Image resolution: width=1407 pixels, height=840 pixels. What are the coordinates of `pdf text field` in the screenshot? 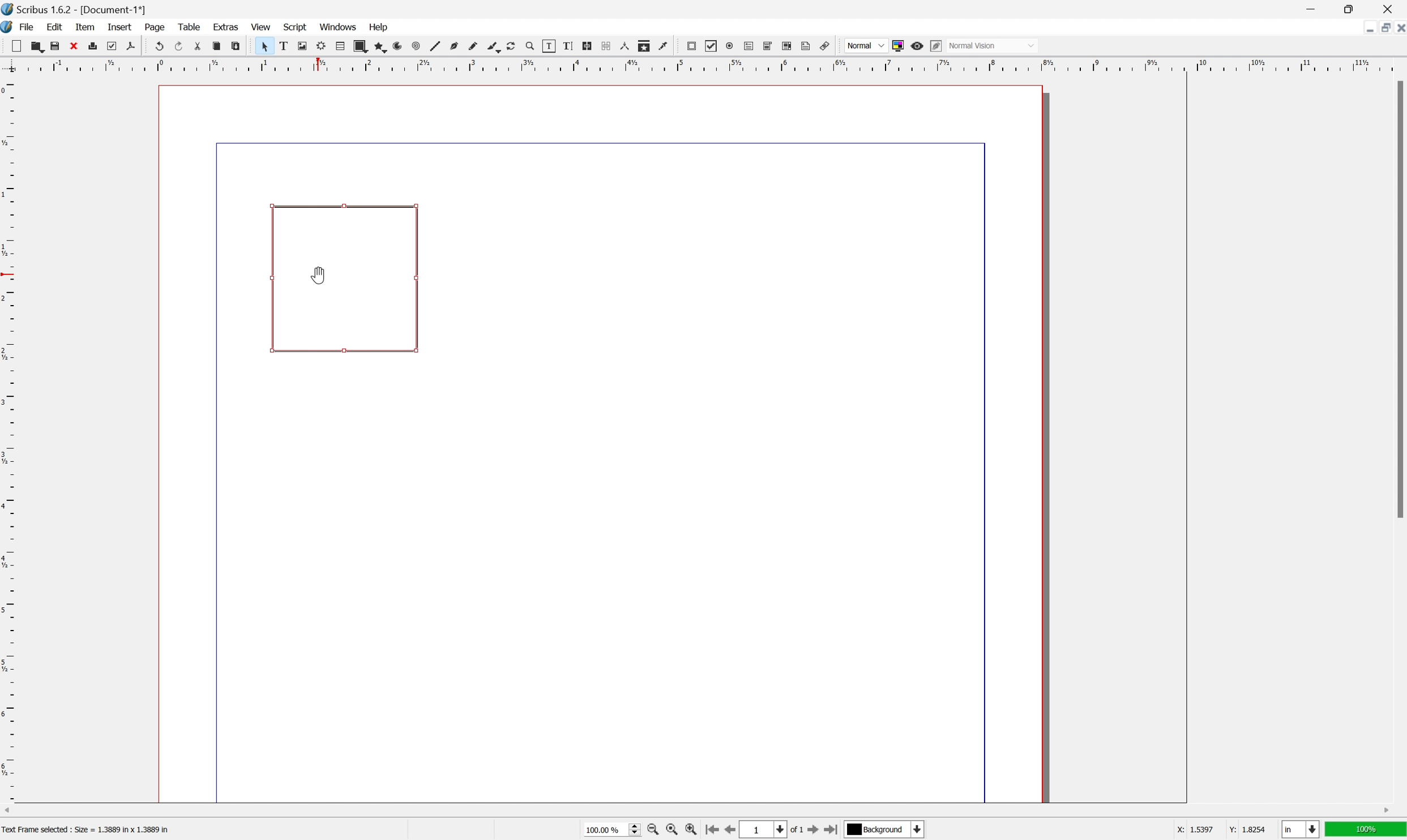 It's located at (749, 46).